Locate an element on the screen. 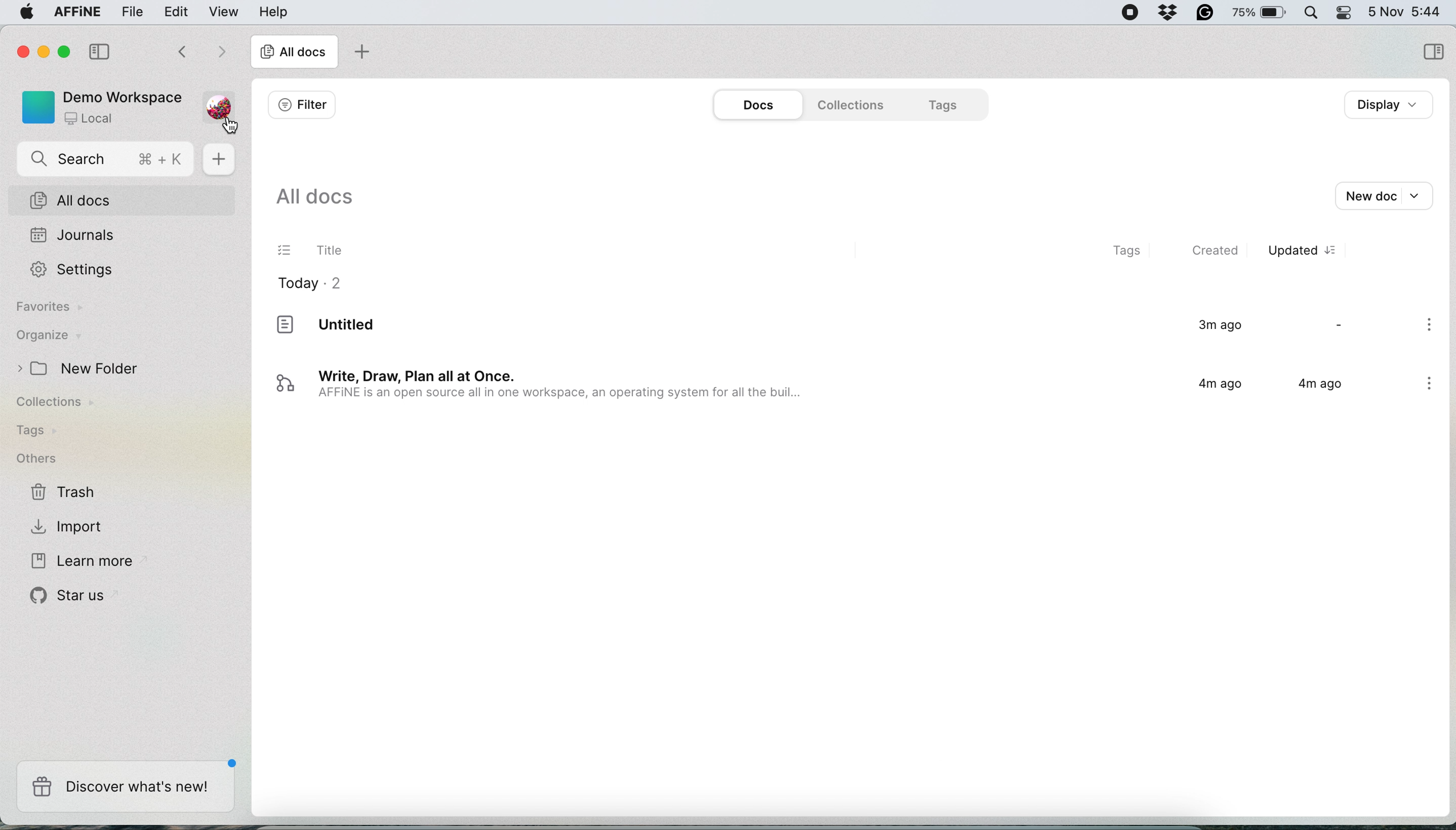 This screenshot has width=1456, height=830. add  is located at coordinates (221, 161).